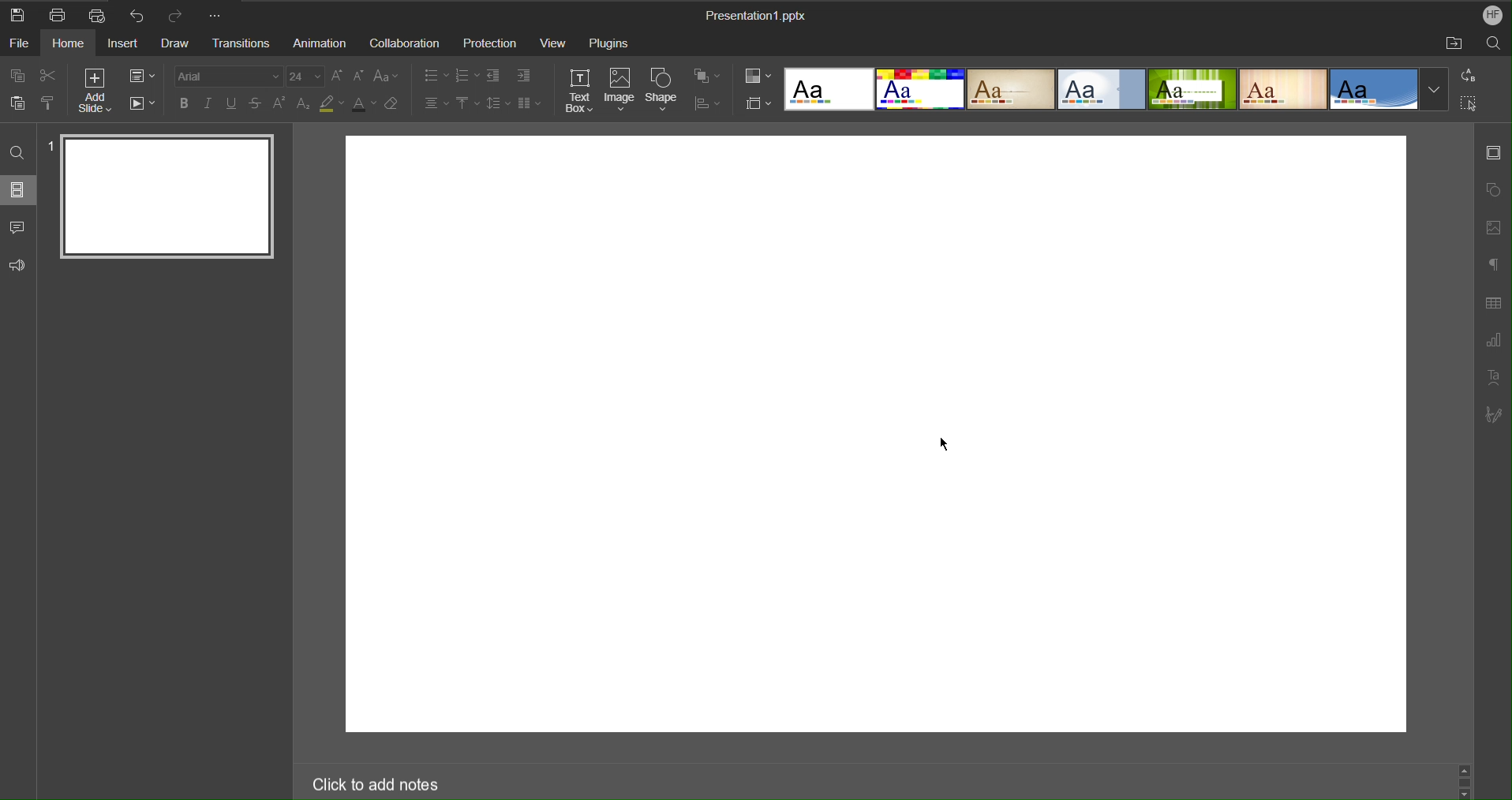 The image size is (1512, 800). Describe the element at coordinates (402, 41) in the screenshot. I see `Collaboration` at that location.